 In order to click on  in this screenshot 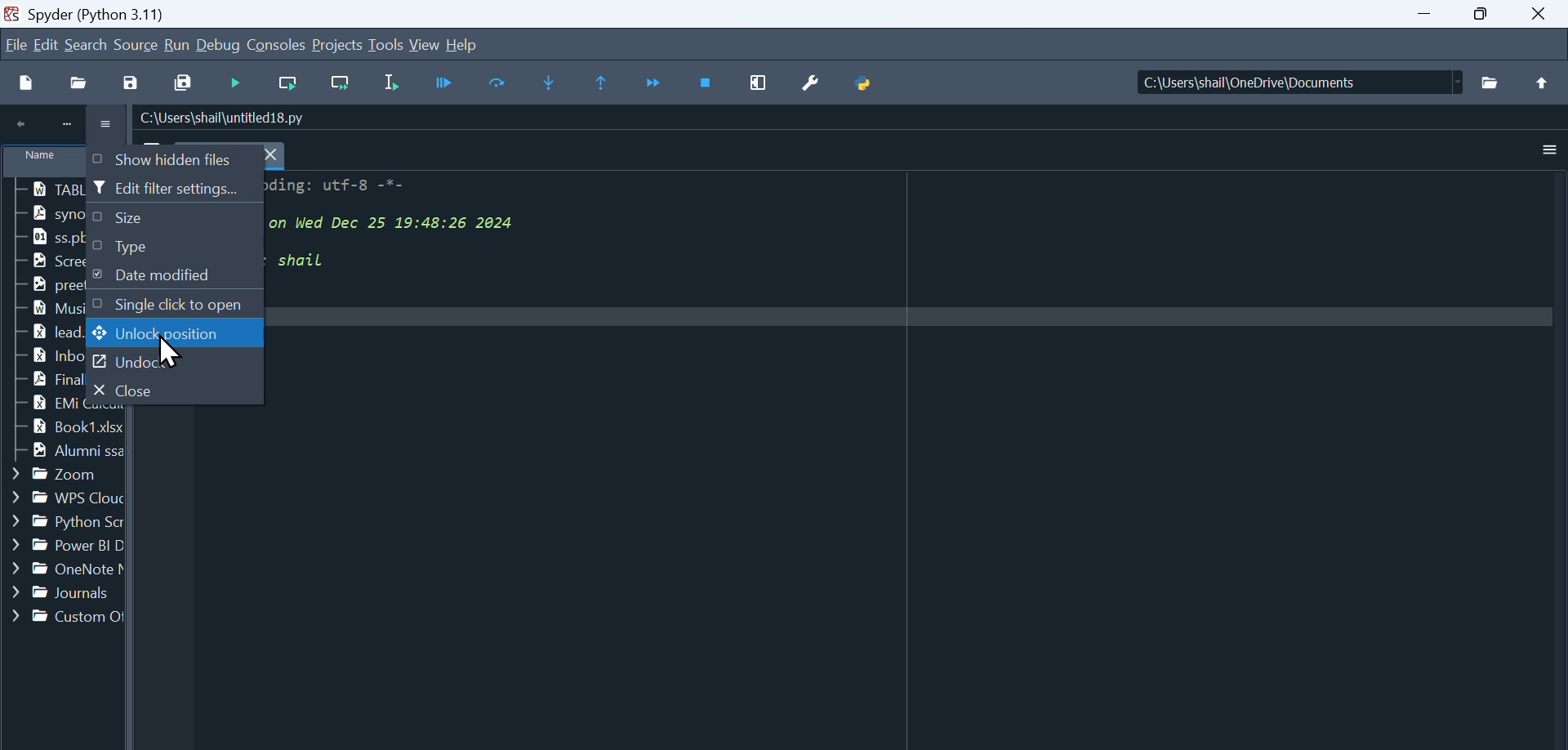, I will do `click(339, 46)`.